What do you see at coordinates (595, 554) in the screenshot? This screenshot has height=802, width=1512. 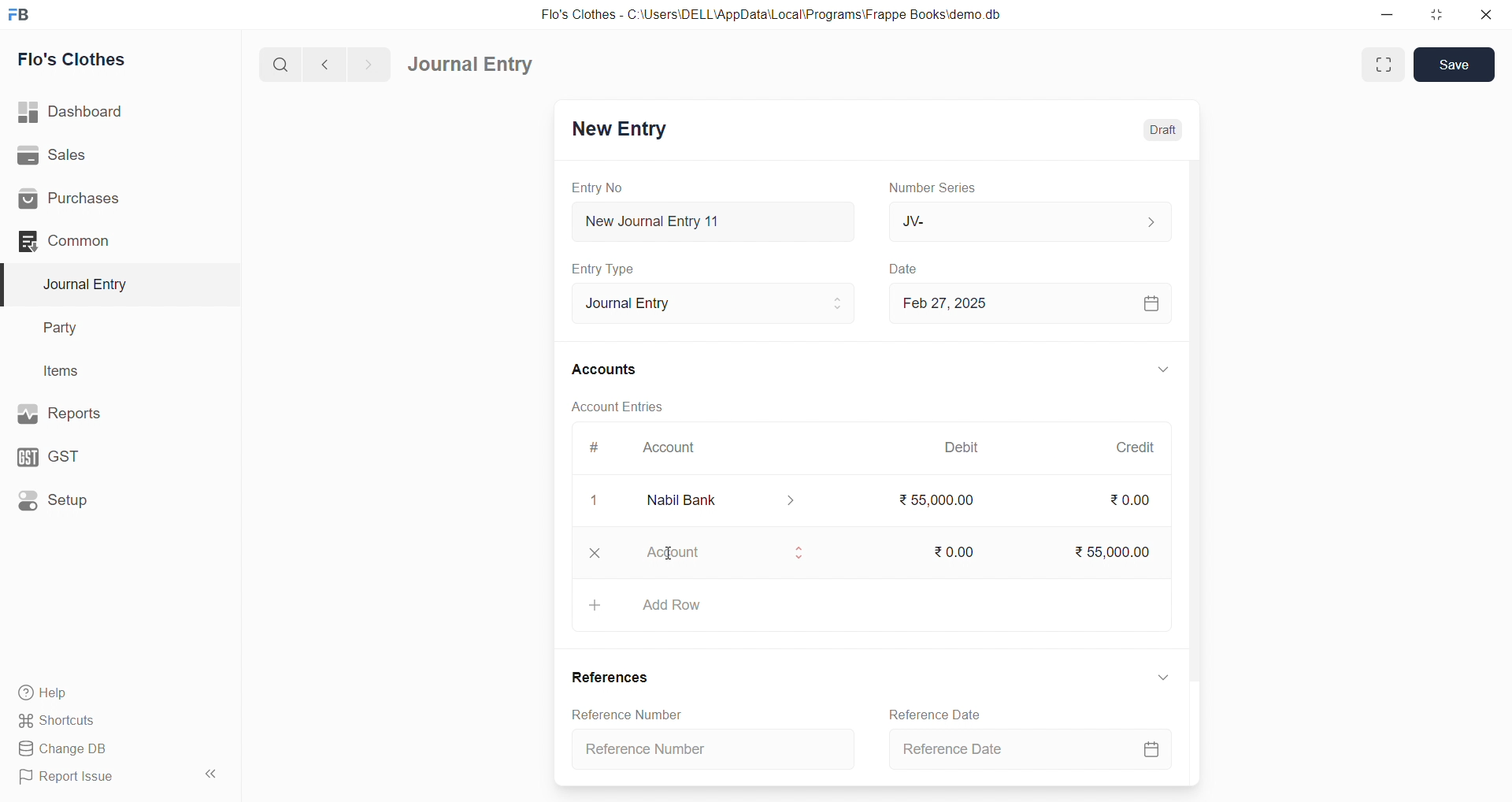 I see `close` at bounding box center [595, 554].